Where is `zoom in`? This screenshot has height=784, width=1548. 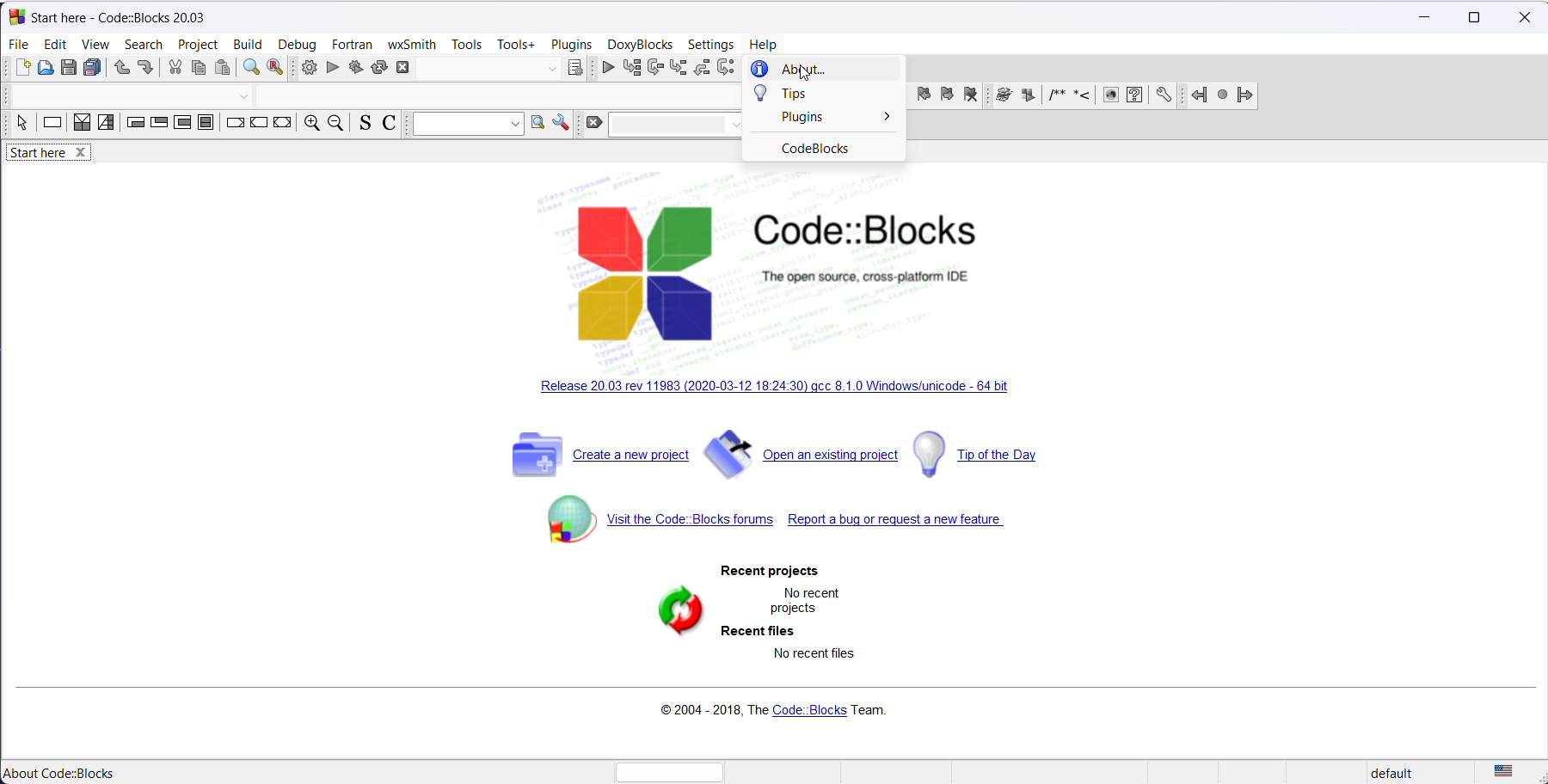
zoom in is located at coordinates (311, 125).